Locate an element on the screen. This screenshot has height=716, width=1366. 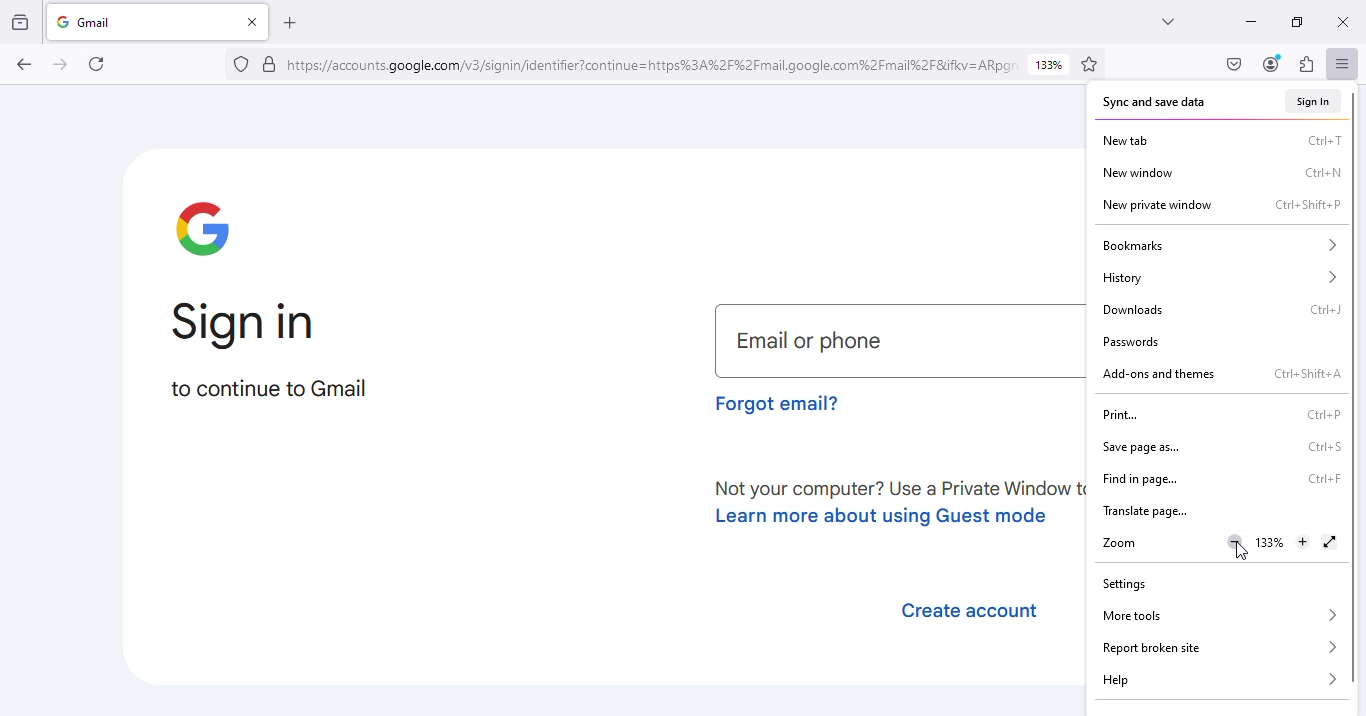
shortcut for find in page is located at coordinates (1323, 479).